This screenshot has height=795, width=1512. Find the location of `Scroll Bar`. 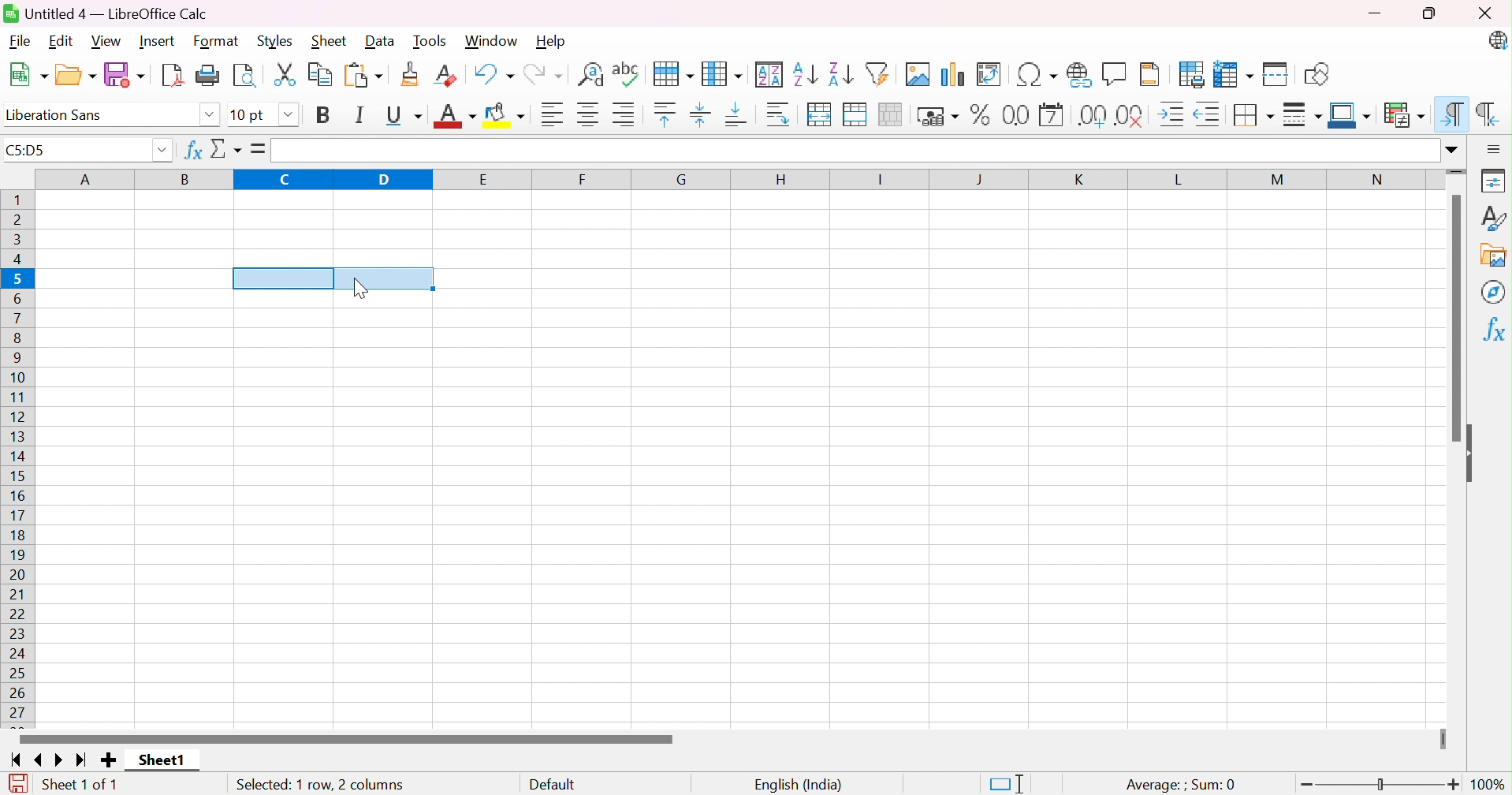

Scroll Bar is located at coordinates (346, 738).